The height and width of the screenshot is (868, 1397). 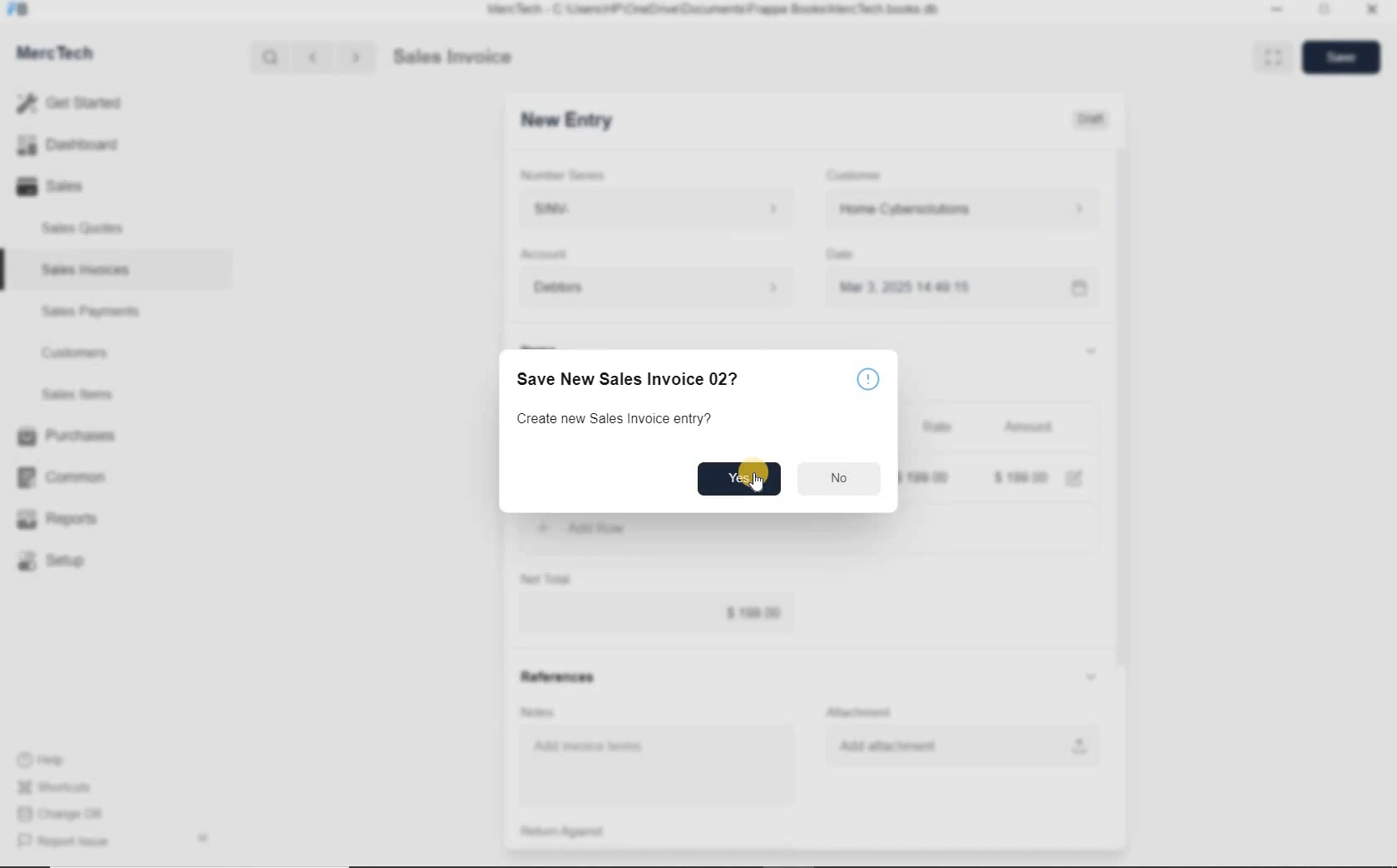 What do you see at coordinates (715, 10) in the screenshot?
I see `MercTech - C:\Users\HP\OneDrive\Documents\Frappe Books\MercTech books db` at bounding box center [715, 10].